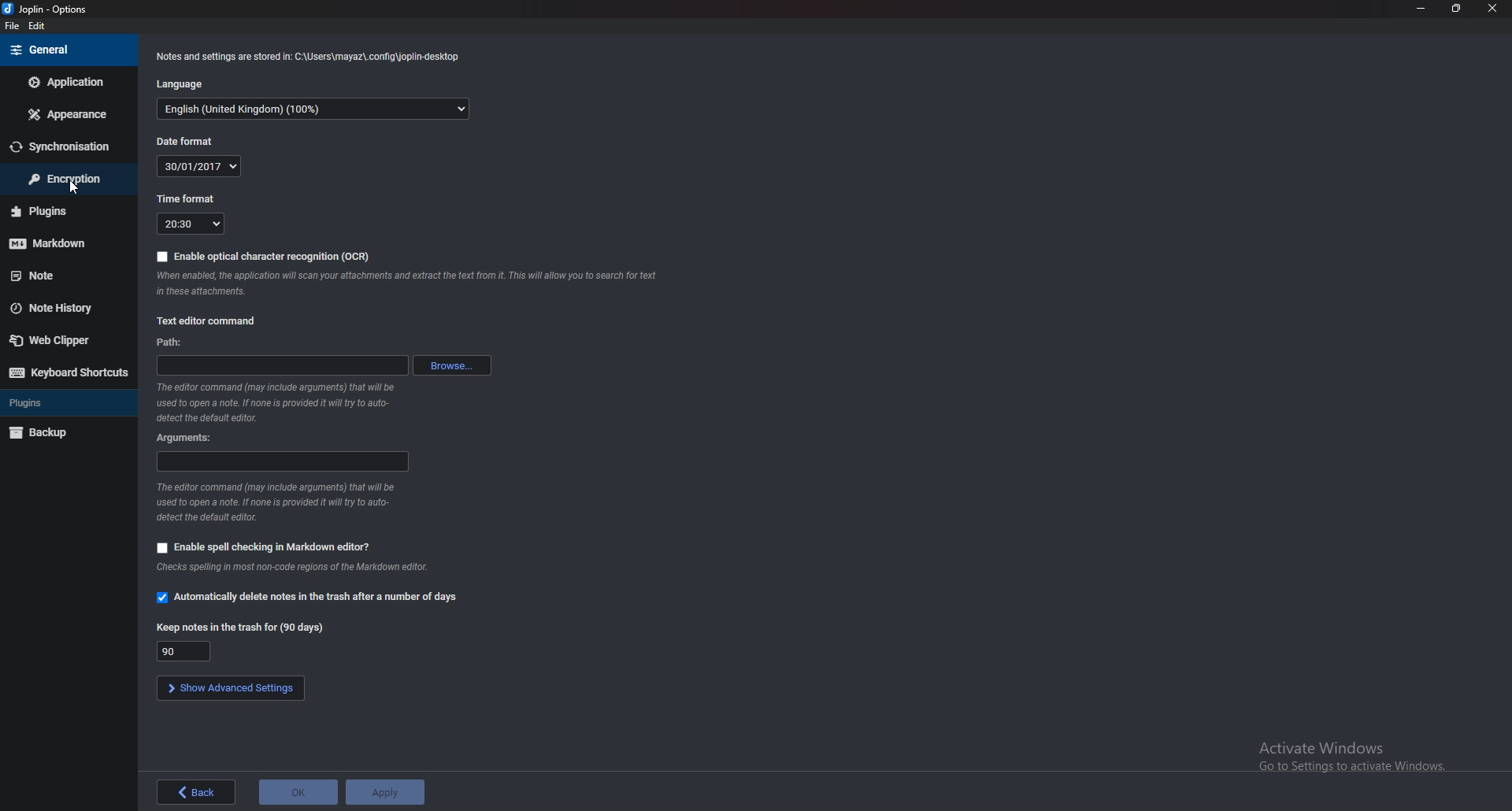  I want to click on language, so click(181, 84).